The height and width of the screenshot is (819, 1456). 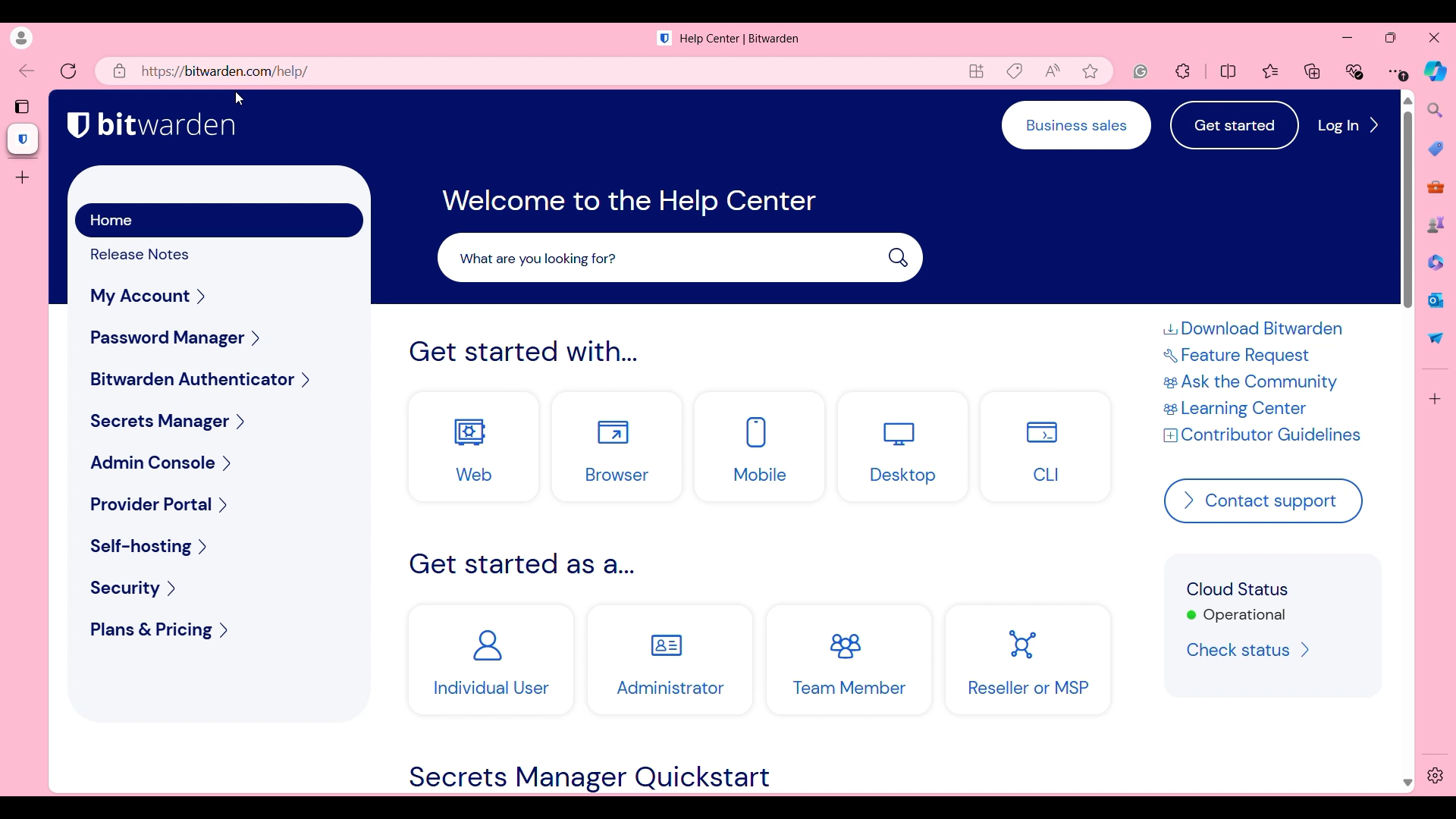 I want to click on Current account, so click(x=20, y=38).